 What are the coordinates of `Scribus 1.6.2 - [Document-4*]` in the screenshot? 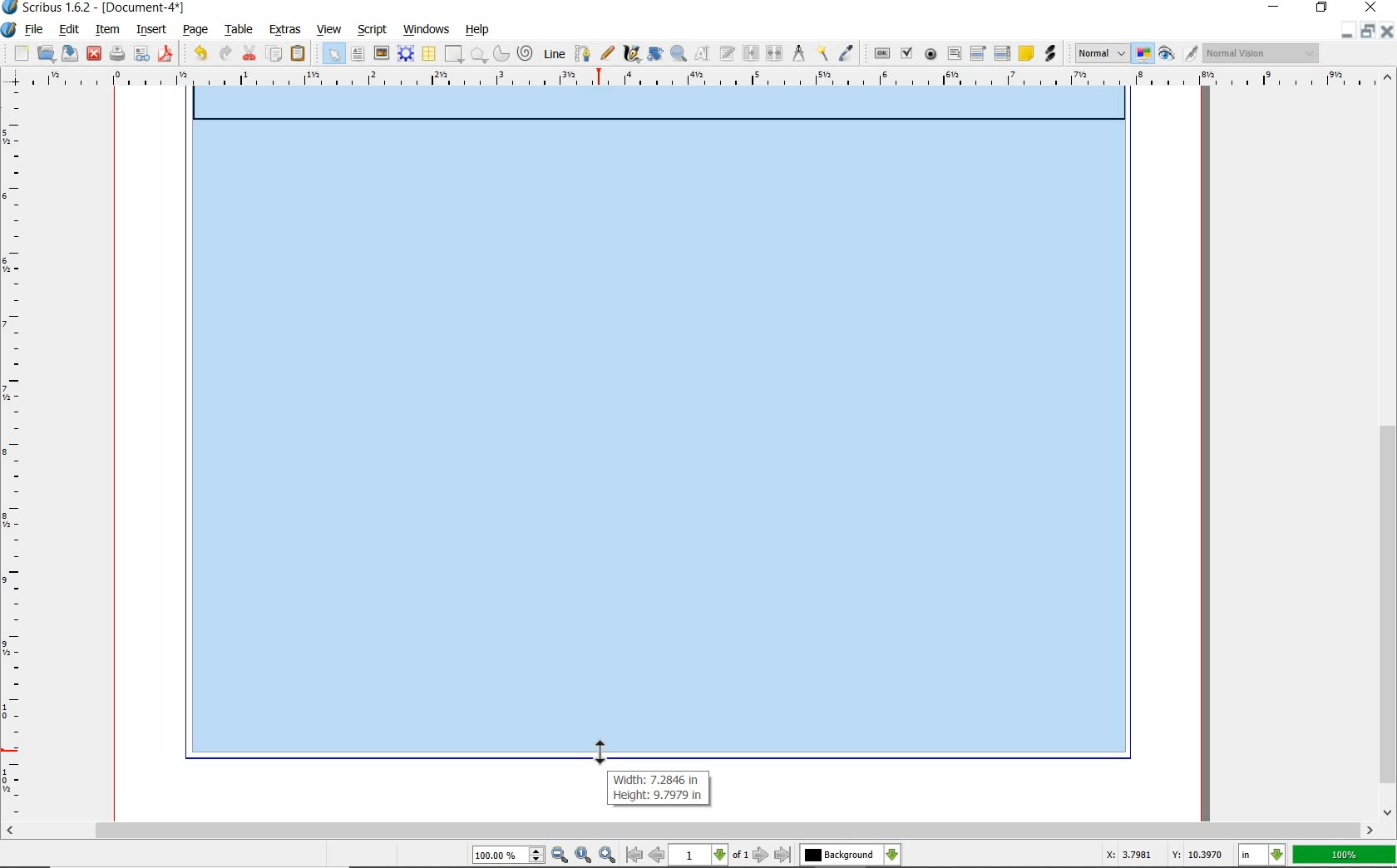 It's located at (96, 8).